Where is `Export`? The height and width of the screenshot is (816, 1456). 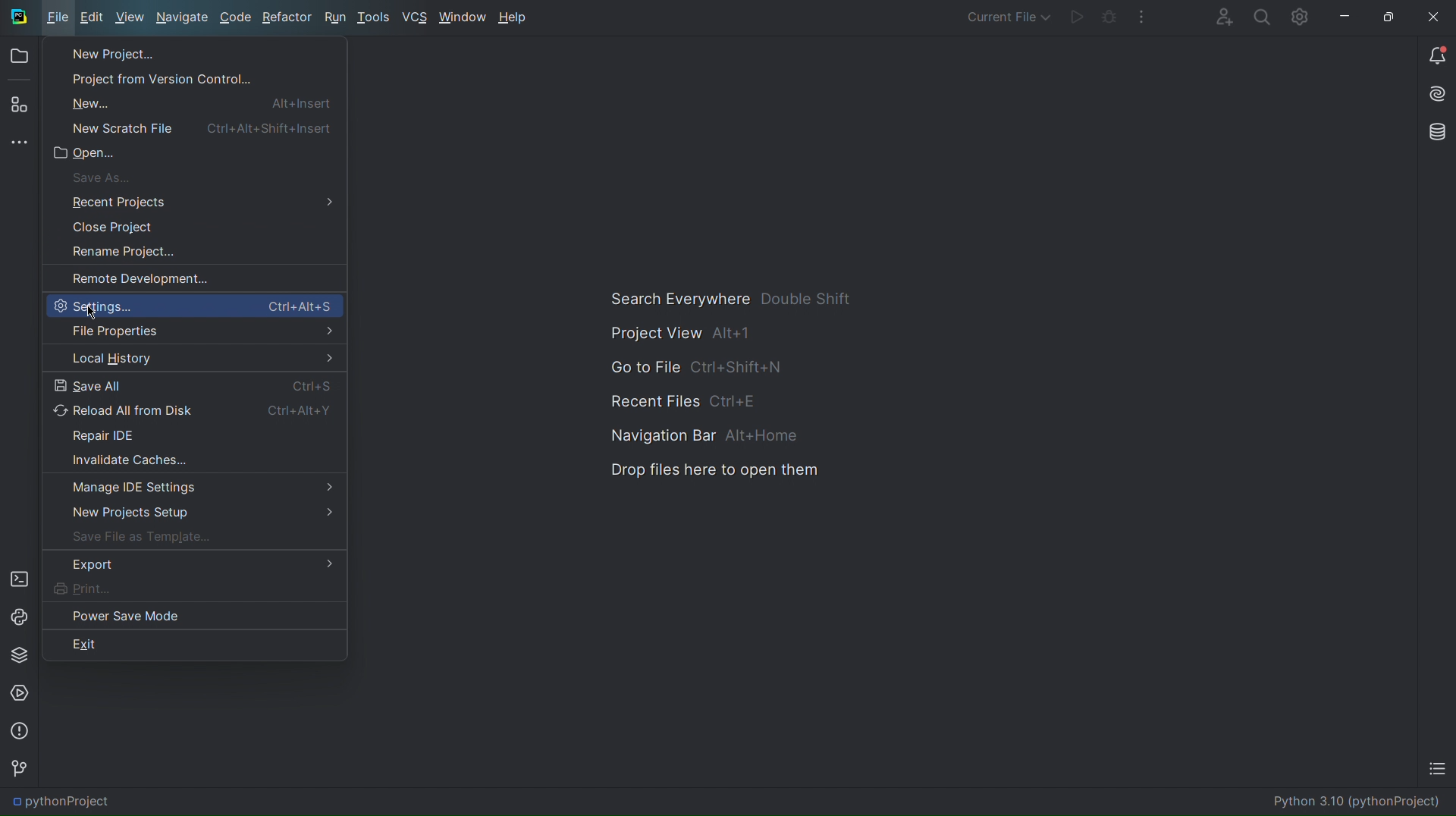
Export is located at coordinates (193, 565).